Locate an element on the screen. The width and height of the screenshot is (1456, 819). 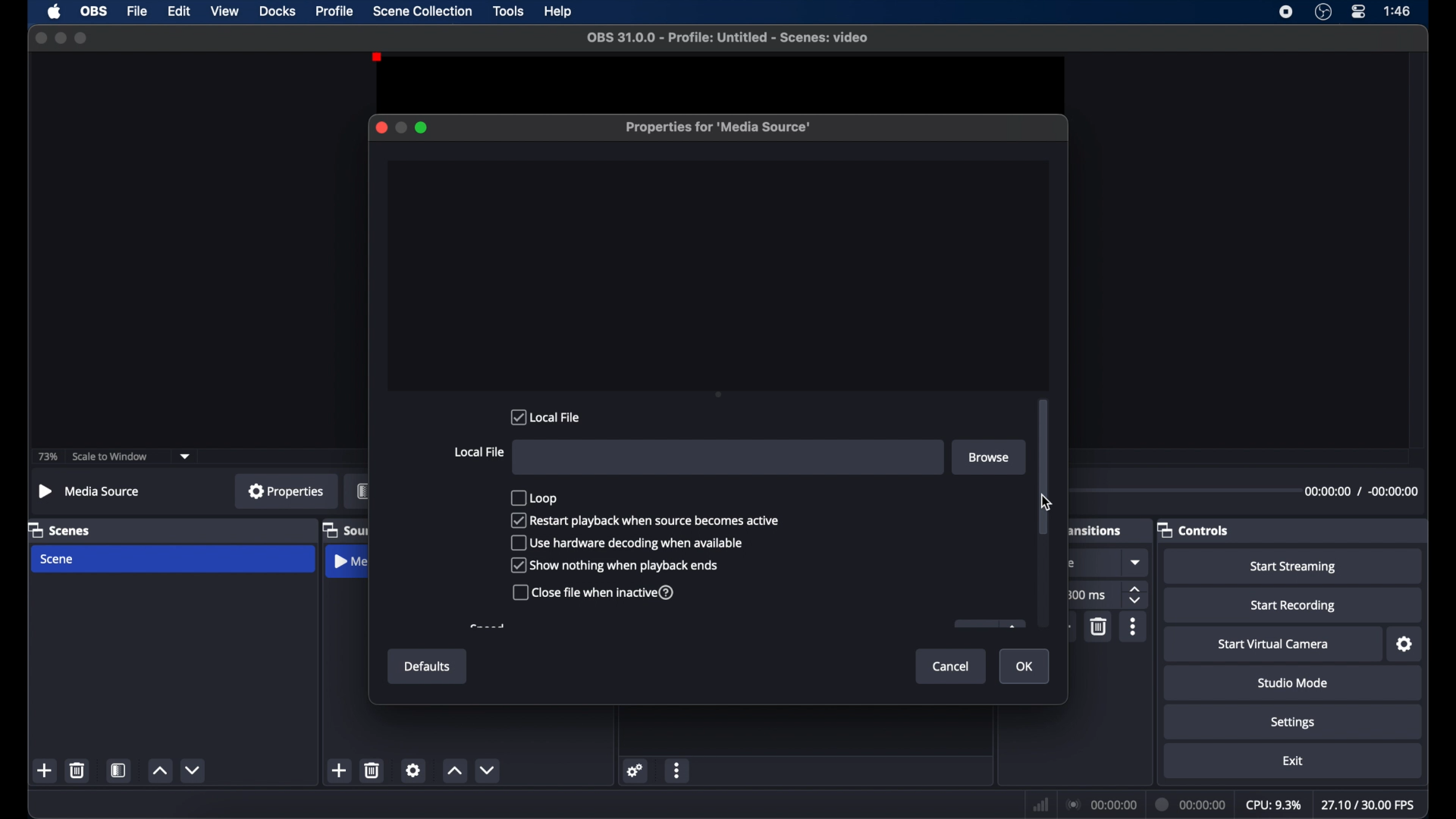
docks is located at coordinates (279, 11).